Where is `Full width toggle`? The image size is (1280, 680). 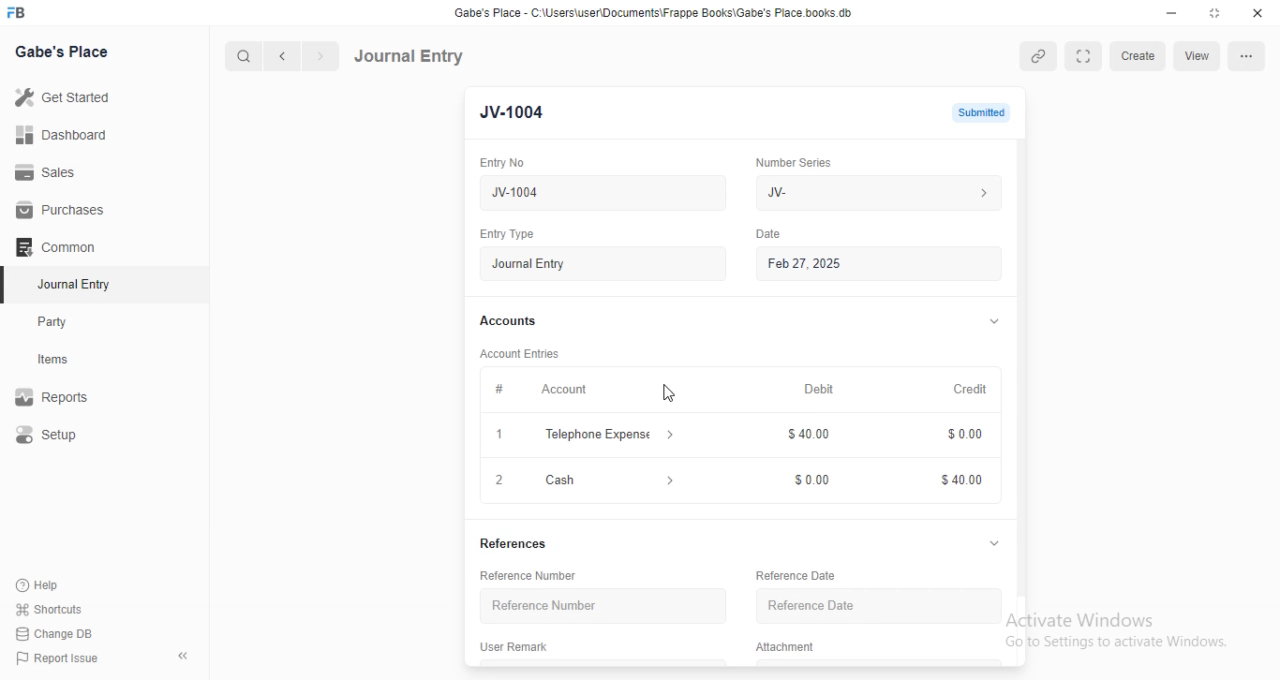 Full width toggle is located at coordinates (1083, 56).